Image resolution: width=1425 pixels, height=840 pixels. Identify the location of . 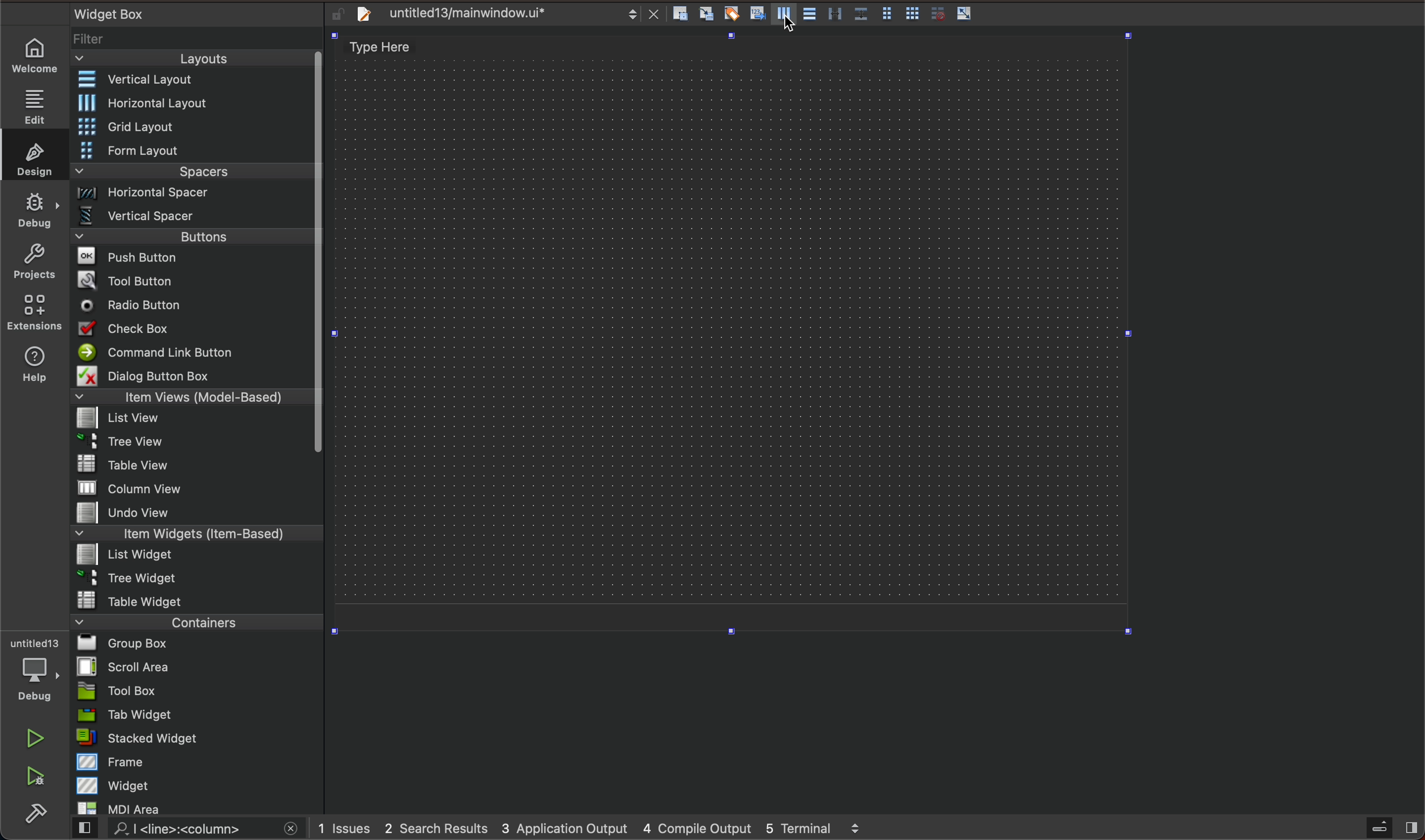
(682, 14).